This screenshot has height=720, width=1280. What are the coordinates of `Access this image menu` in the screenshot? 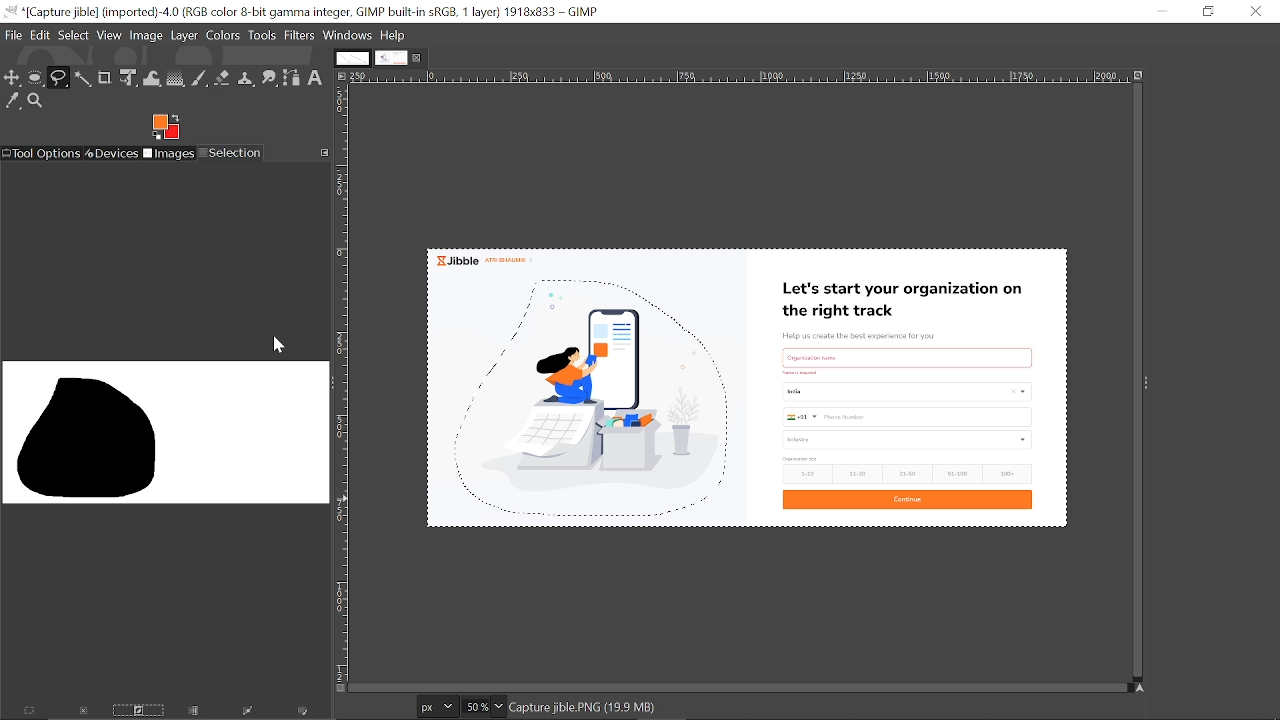 It's located at (342, 76).